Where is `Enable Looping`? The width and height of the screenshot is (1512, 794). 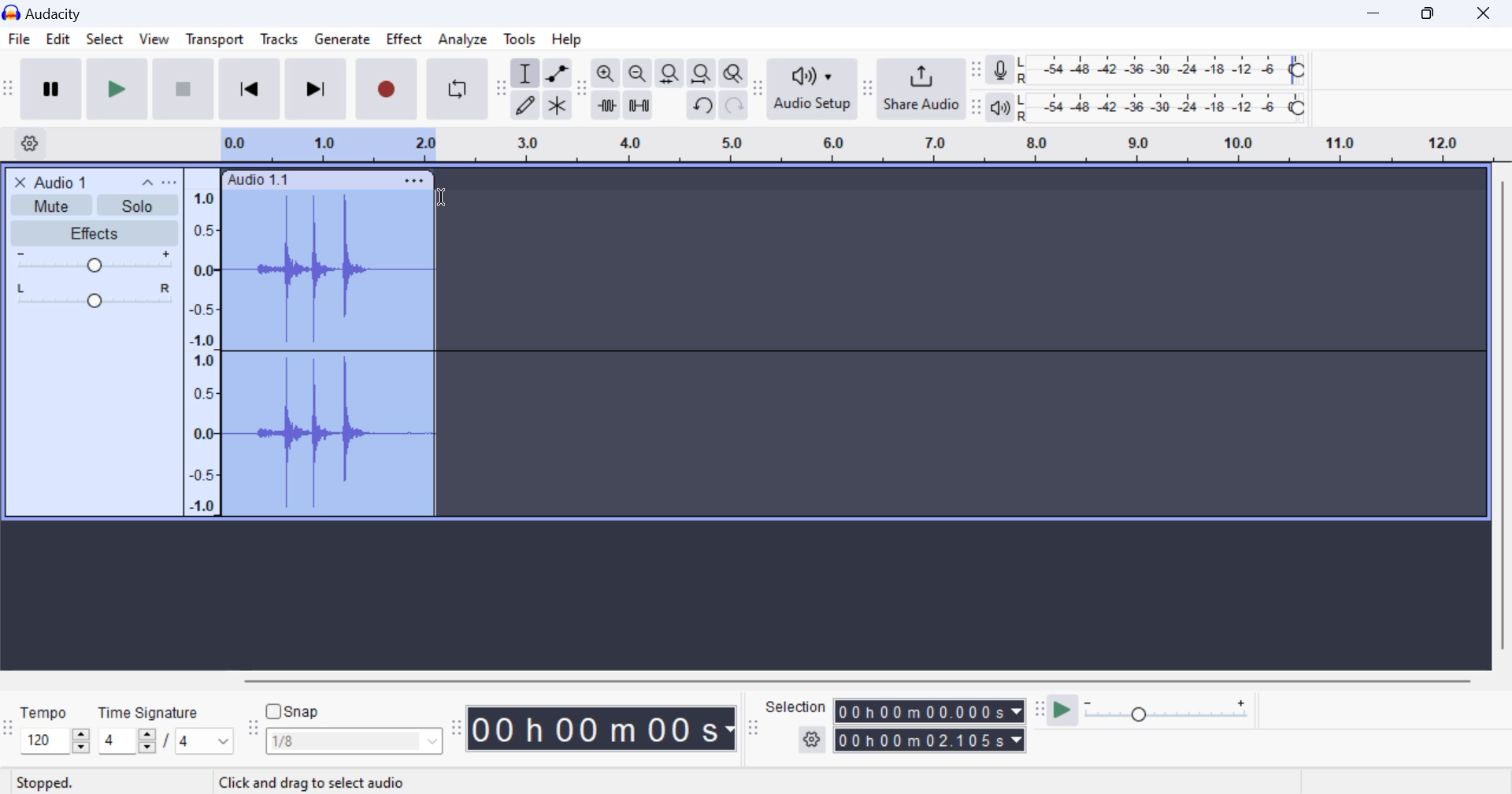
Enable Looping is located at coordinates (458, 89).